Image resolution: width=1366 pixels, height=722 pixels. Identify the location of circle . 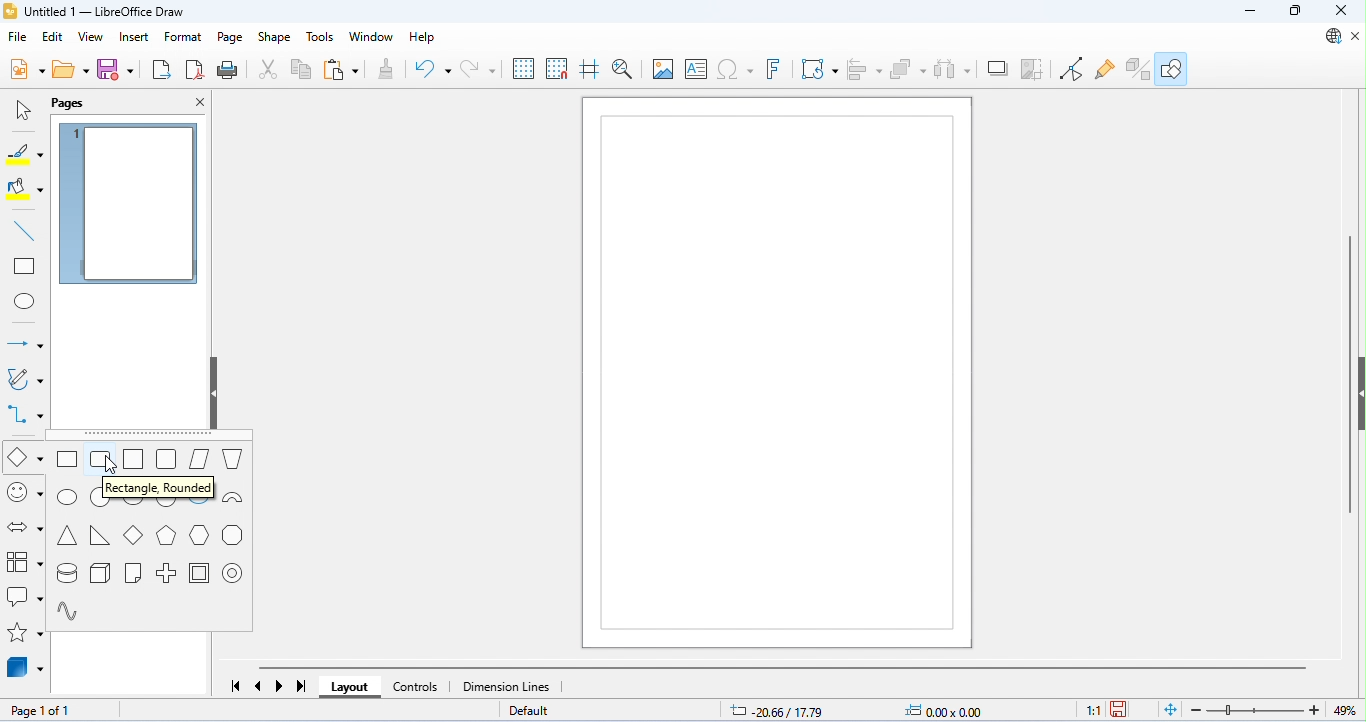
(102, 497).